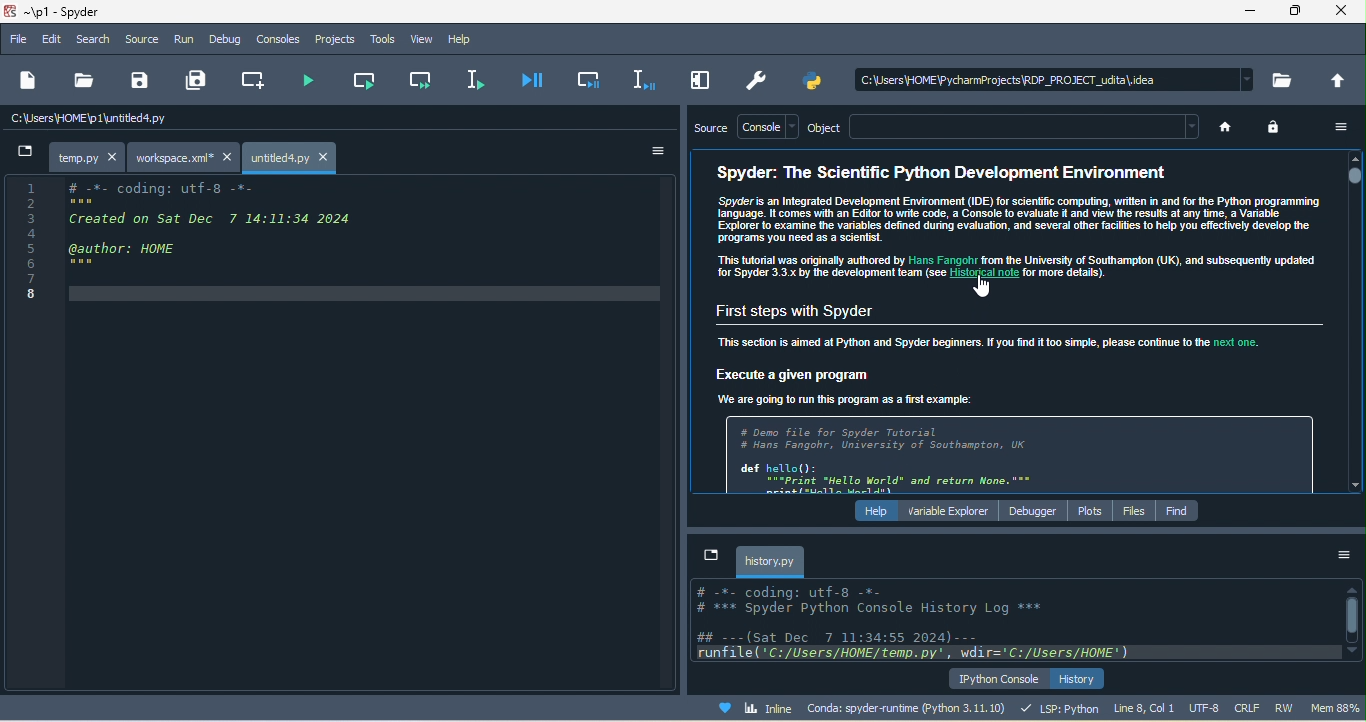 This screenshot has width=1366, height=722. I want to click on view, so click(426, 40).